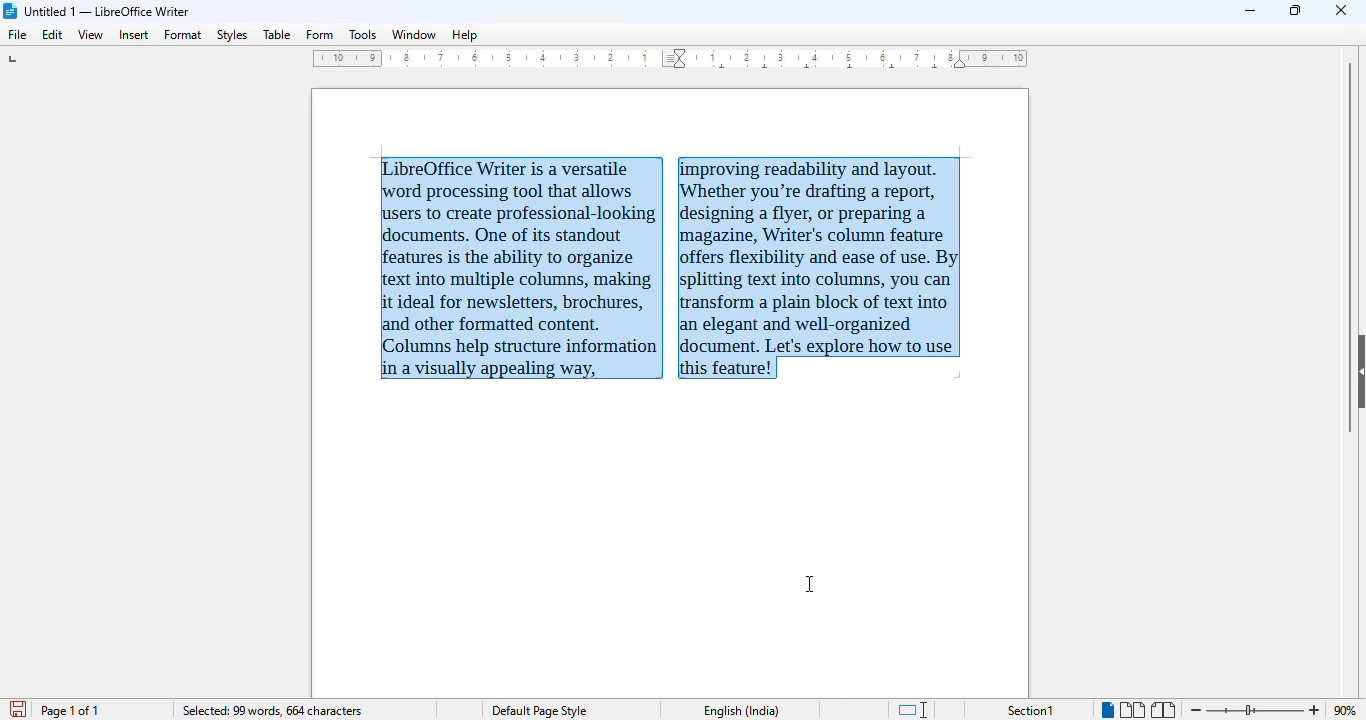  Describe the element at coordinates (232, 35) in the screenshot. I see `styles` at that location.